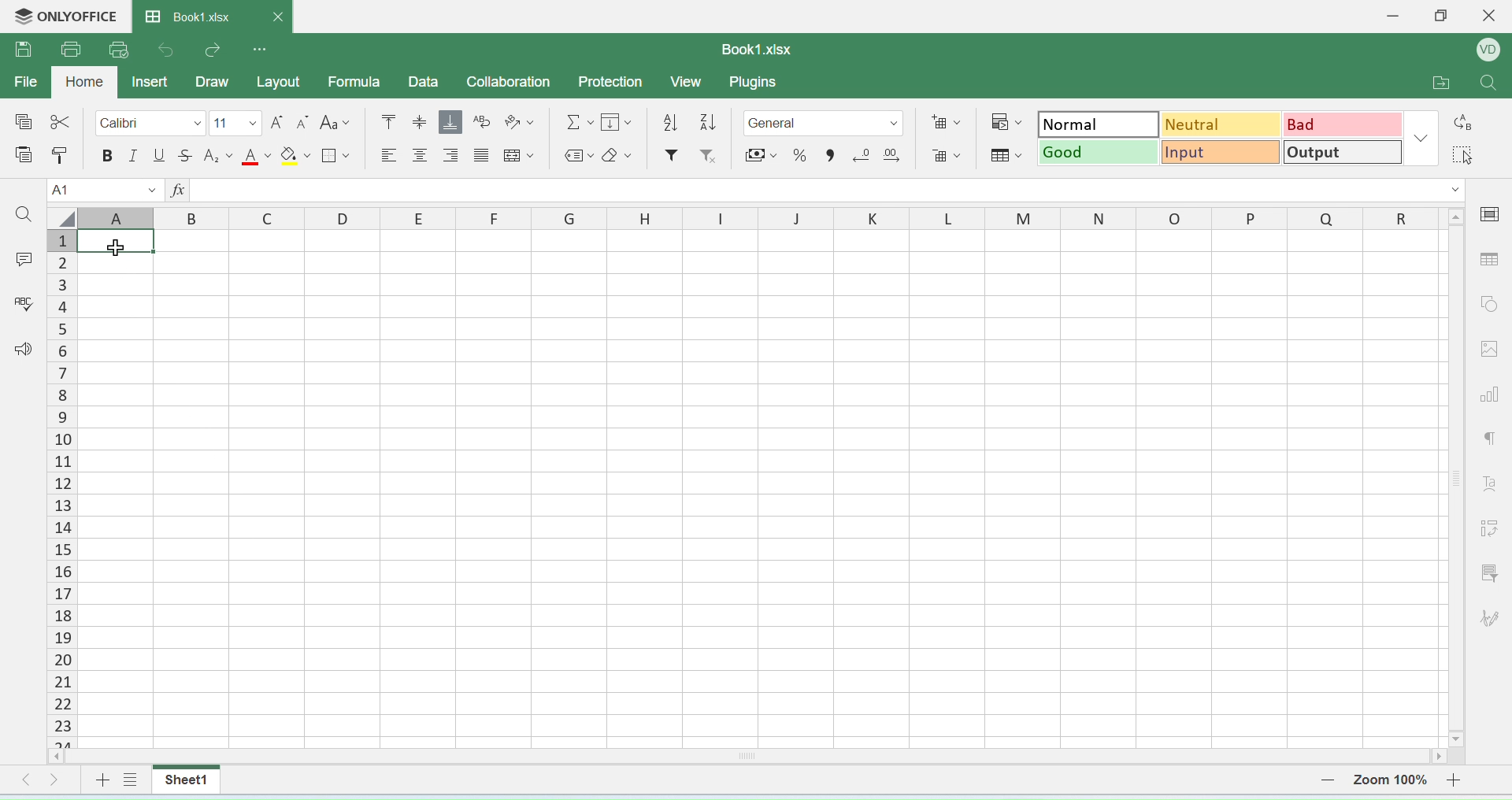 This screenshot has width=1512, height=800. I want to click on border, so click(336, 157).